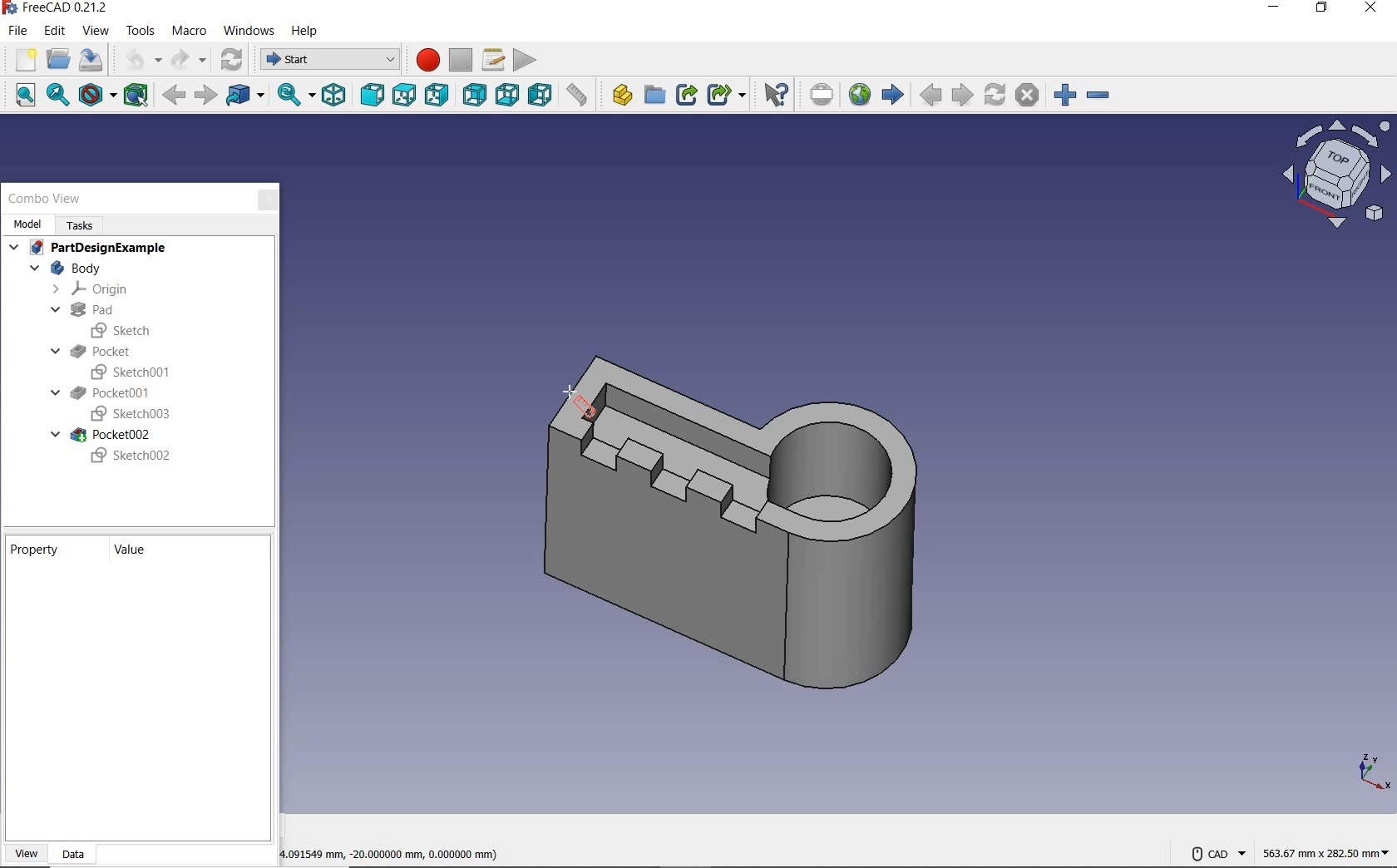 The height and width of the screenshot is (868, 1397). What do you see at coordinates (103, 435) in the screenshot?
I see `POCKET002` at bounding box center [103, 435].